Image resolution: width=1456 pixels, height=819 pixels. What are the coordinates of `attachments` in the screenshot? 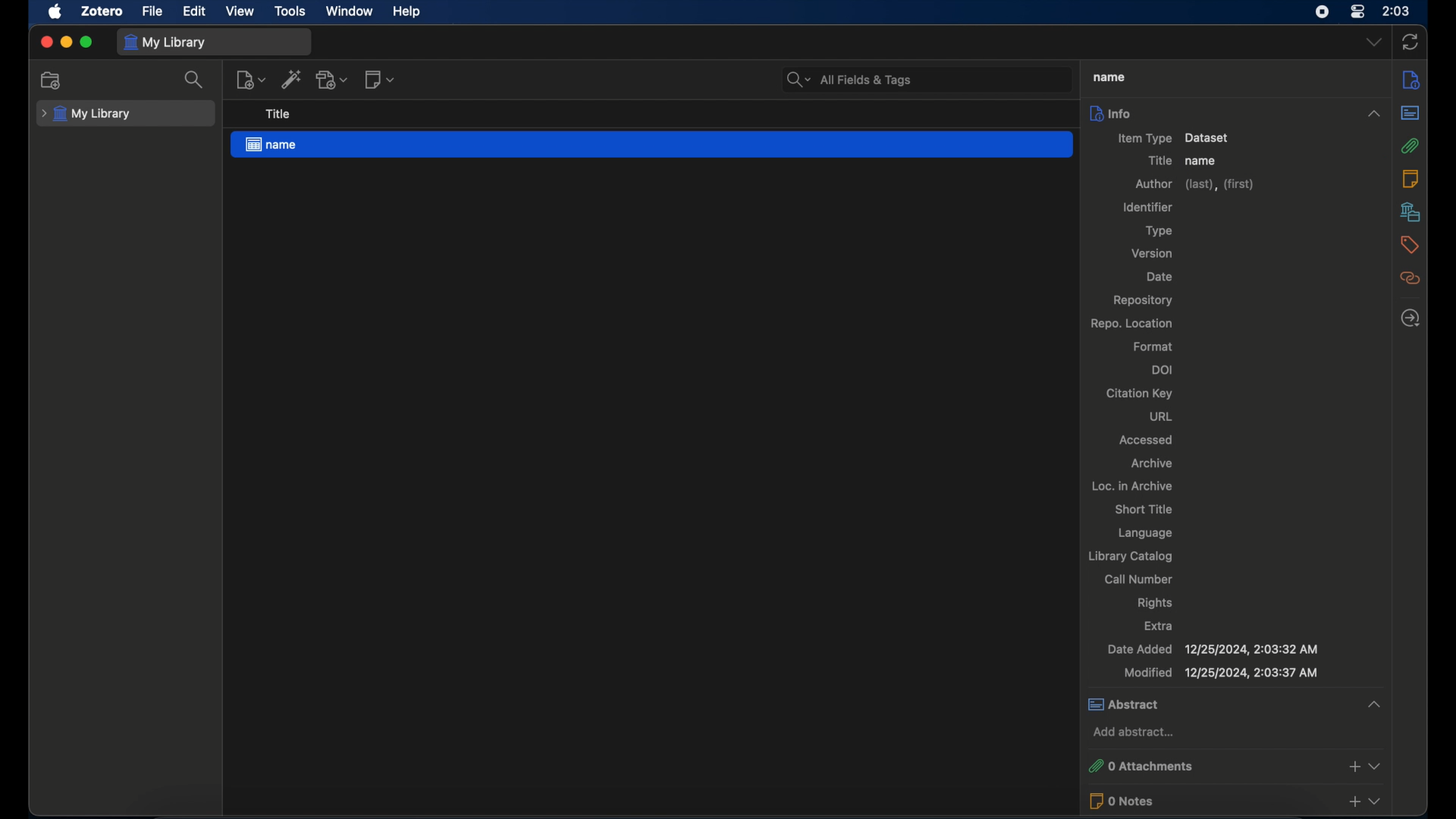 It's located at (1411, 146).